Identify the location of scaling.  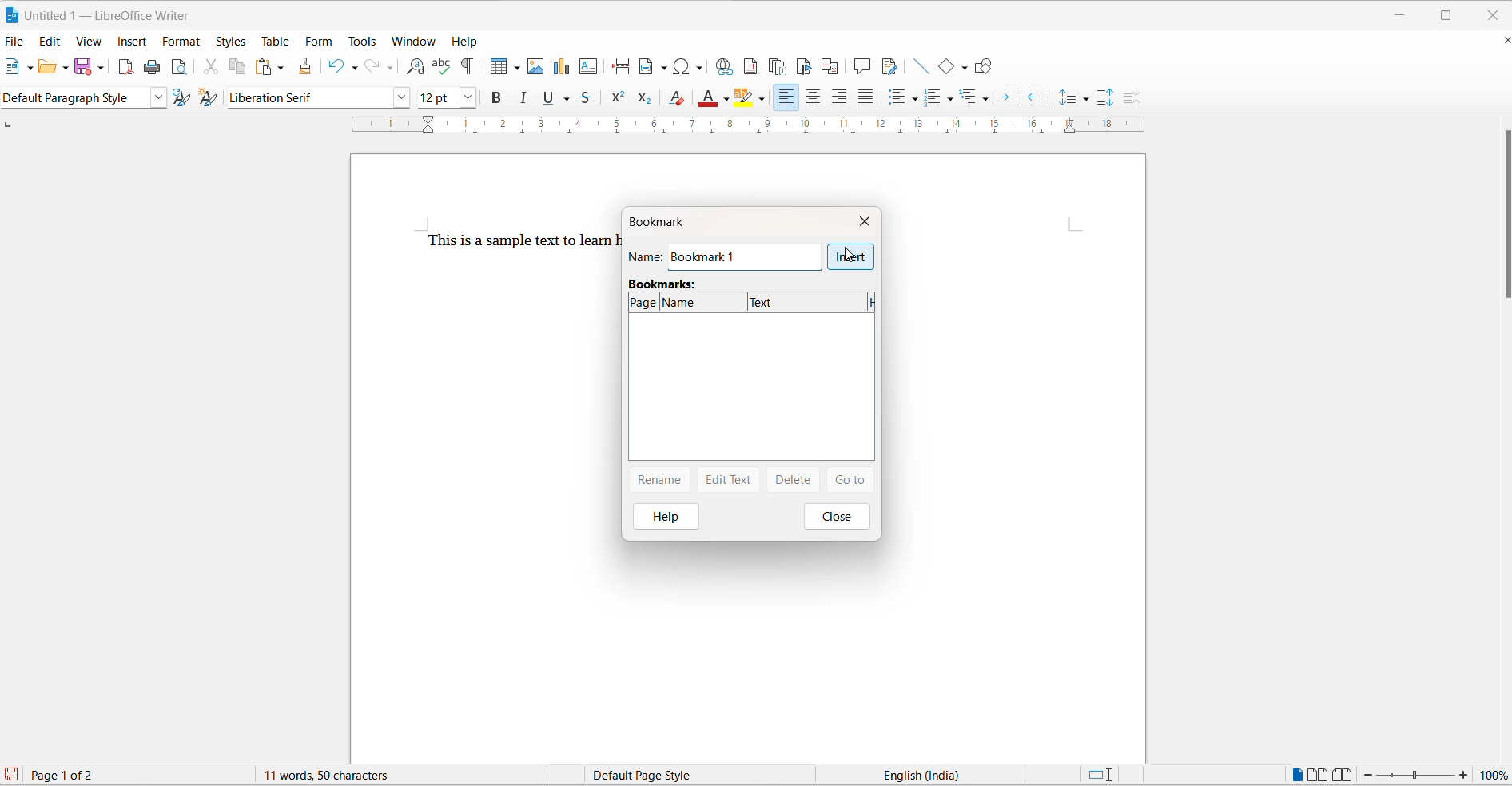
(738, 129).